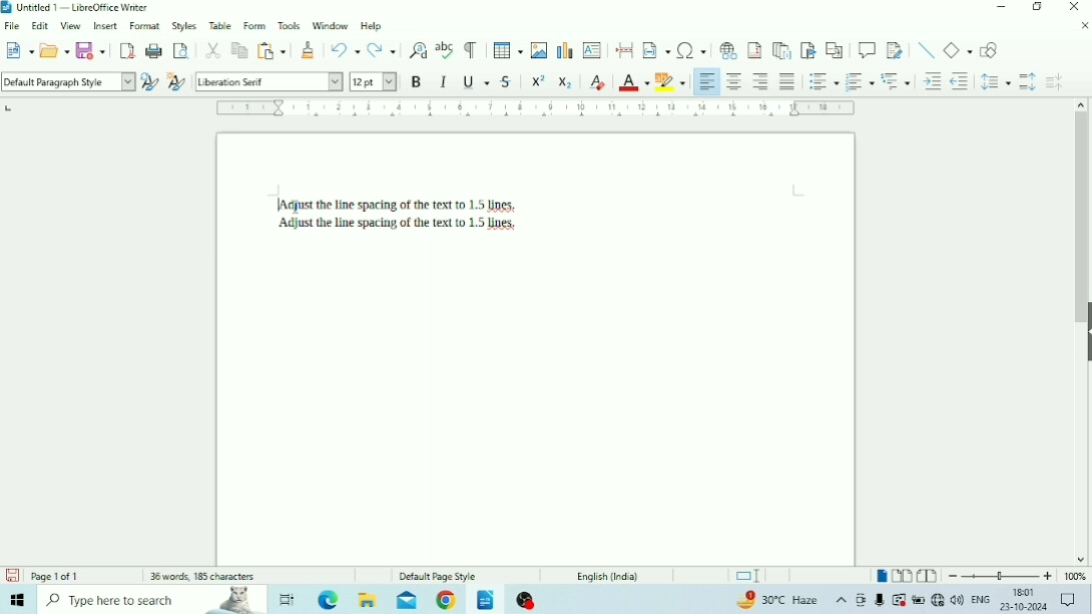 This screenshot has height=614, width=1092. What do you see at coordinates (273, 51) in the screenshot?
I see `Paste` at bounding box center [273, 51].